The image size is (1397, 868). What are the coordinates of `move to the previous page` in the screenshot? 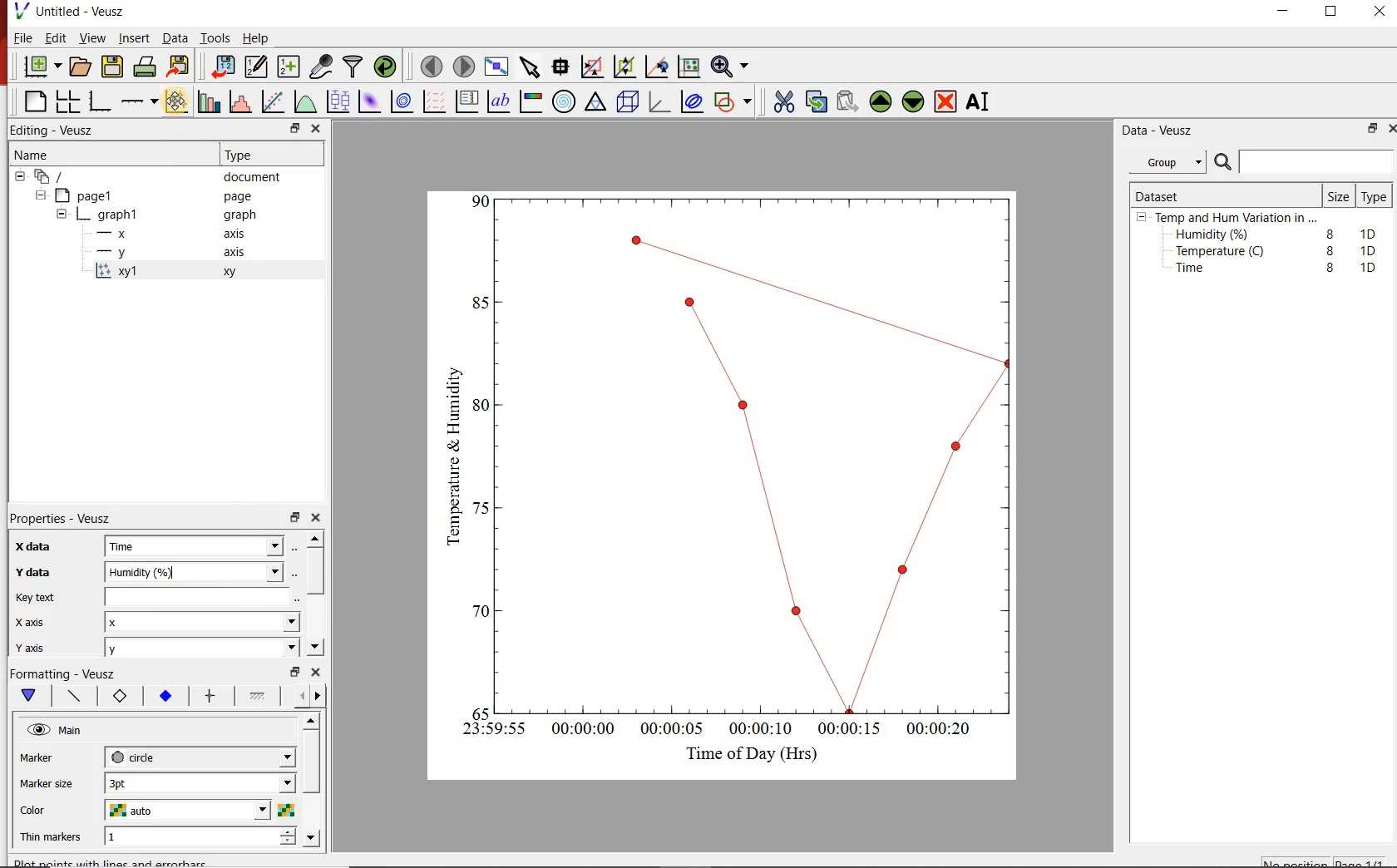 It's located at (430, 67).